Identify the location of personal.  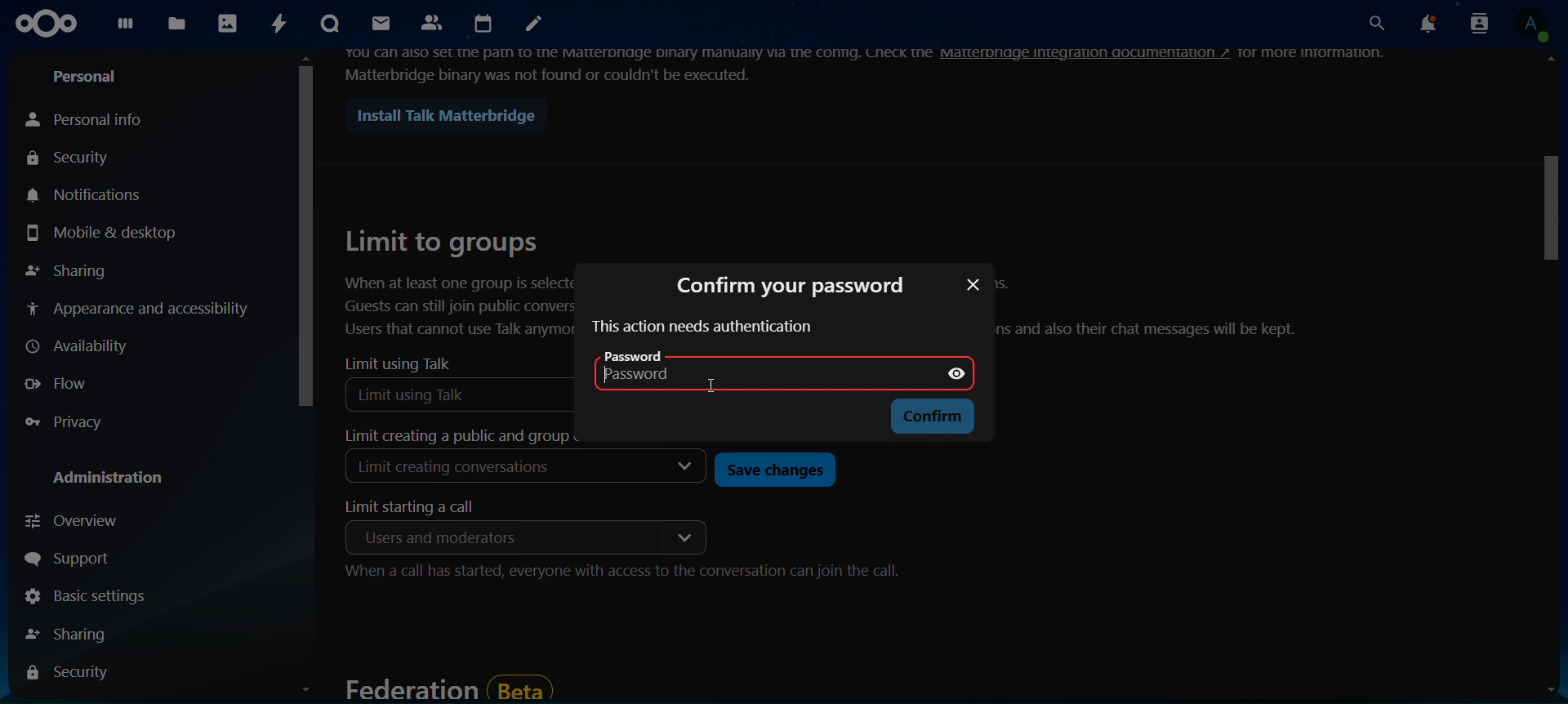
(90, 78).